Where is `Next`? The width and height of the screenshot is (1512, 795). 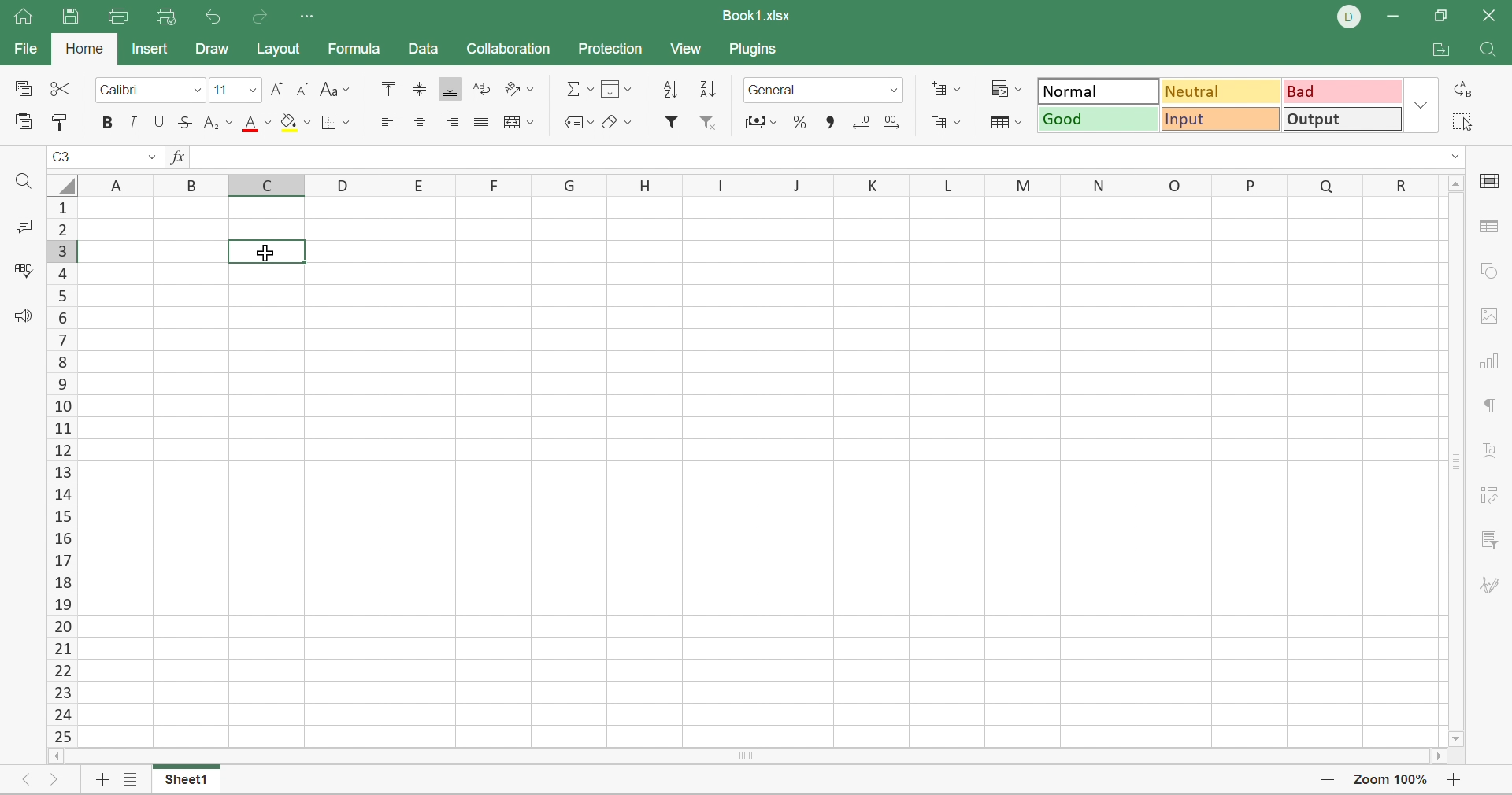
Next is located at coordinates (51, 782).